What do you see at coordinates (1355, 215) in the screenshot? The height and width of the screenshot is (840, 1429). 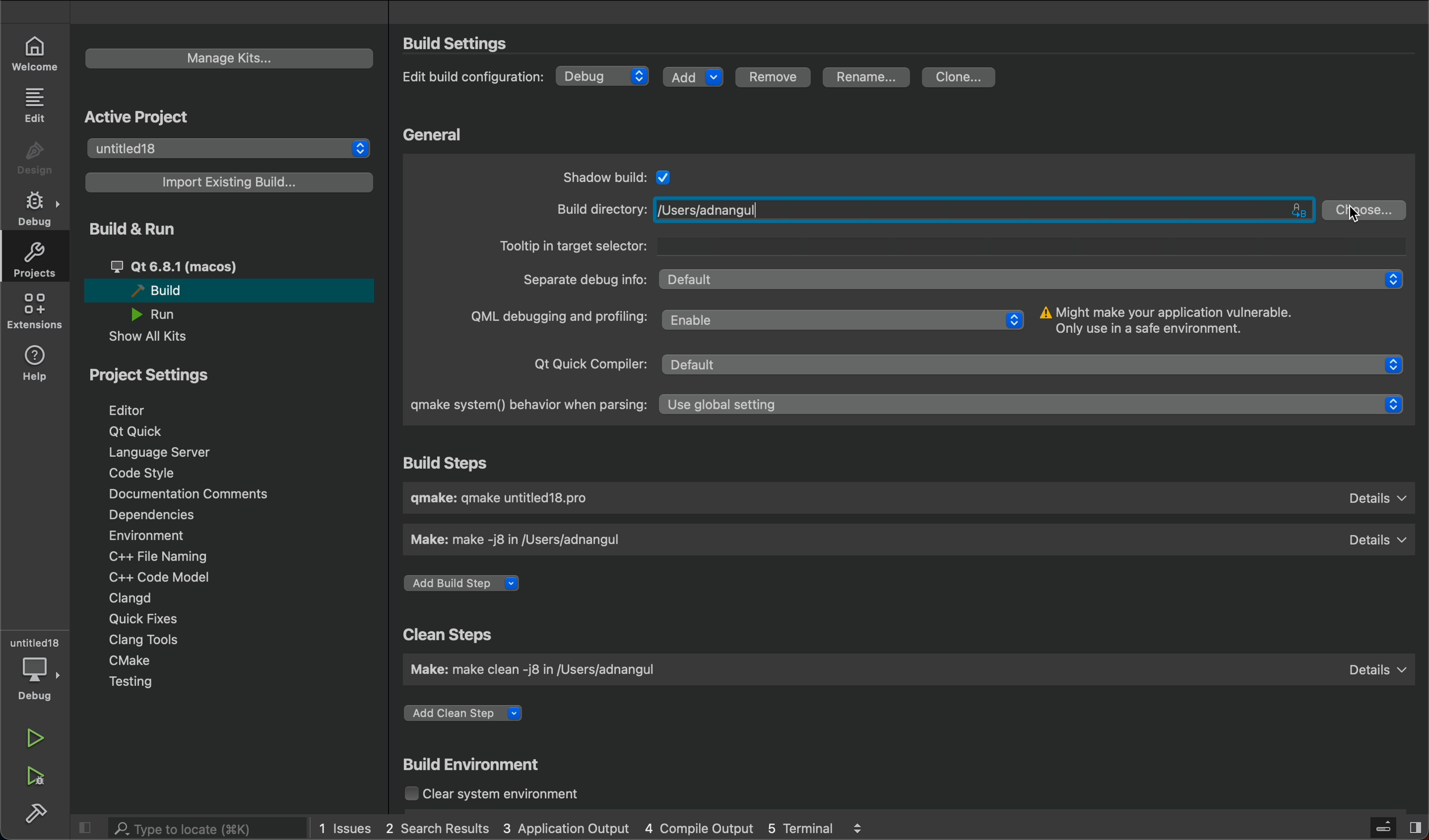 I see `Cursor` at bounding box center [1355, 215].